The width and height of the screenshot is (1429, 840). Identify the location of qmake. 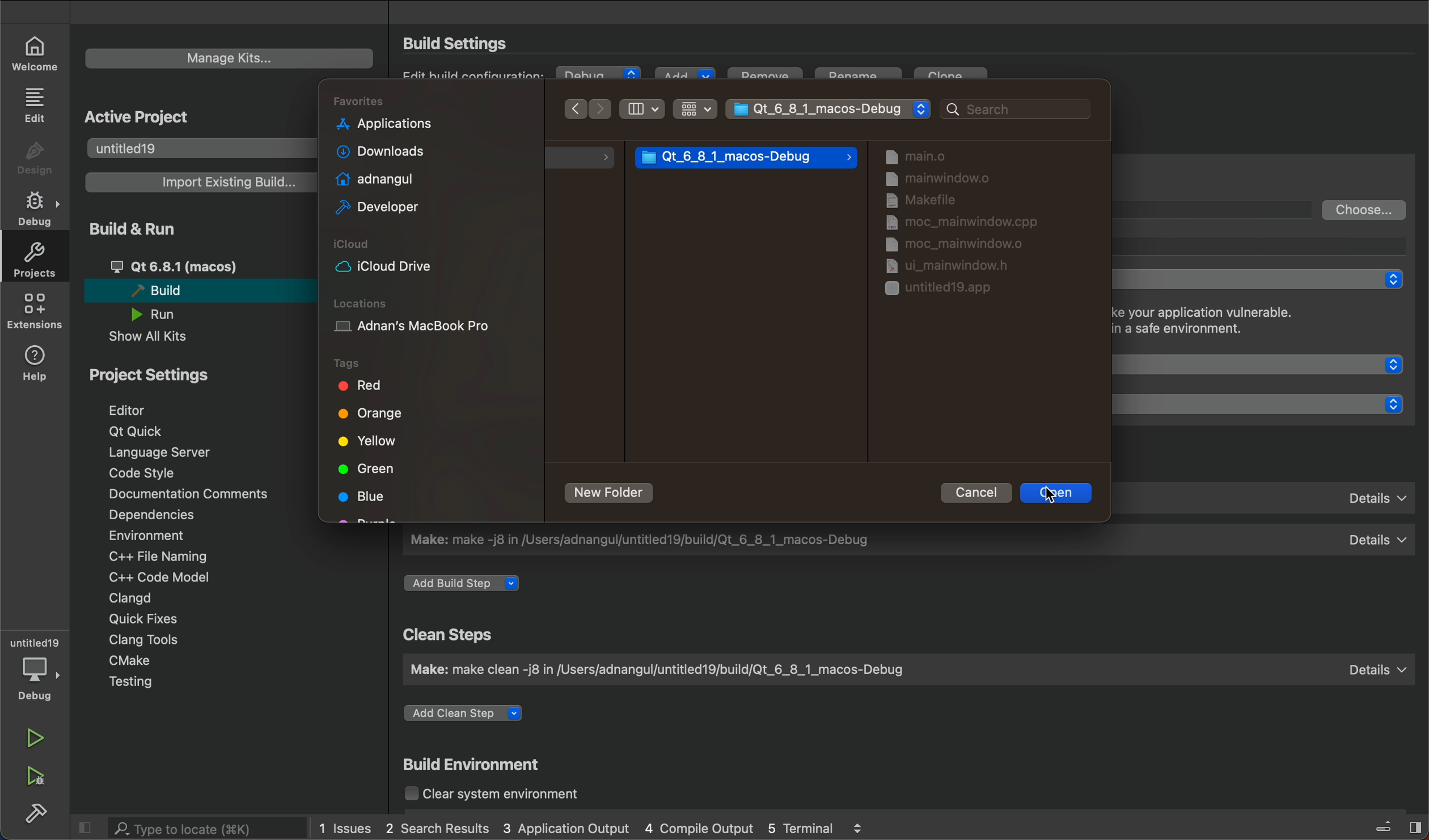
(1270, 495).